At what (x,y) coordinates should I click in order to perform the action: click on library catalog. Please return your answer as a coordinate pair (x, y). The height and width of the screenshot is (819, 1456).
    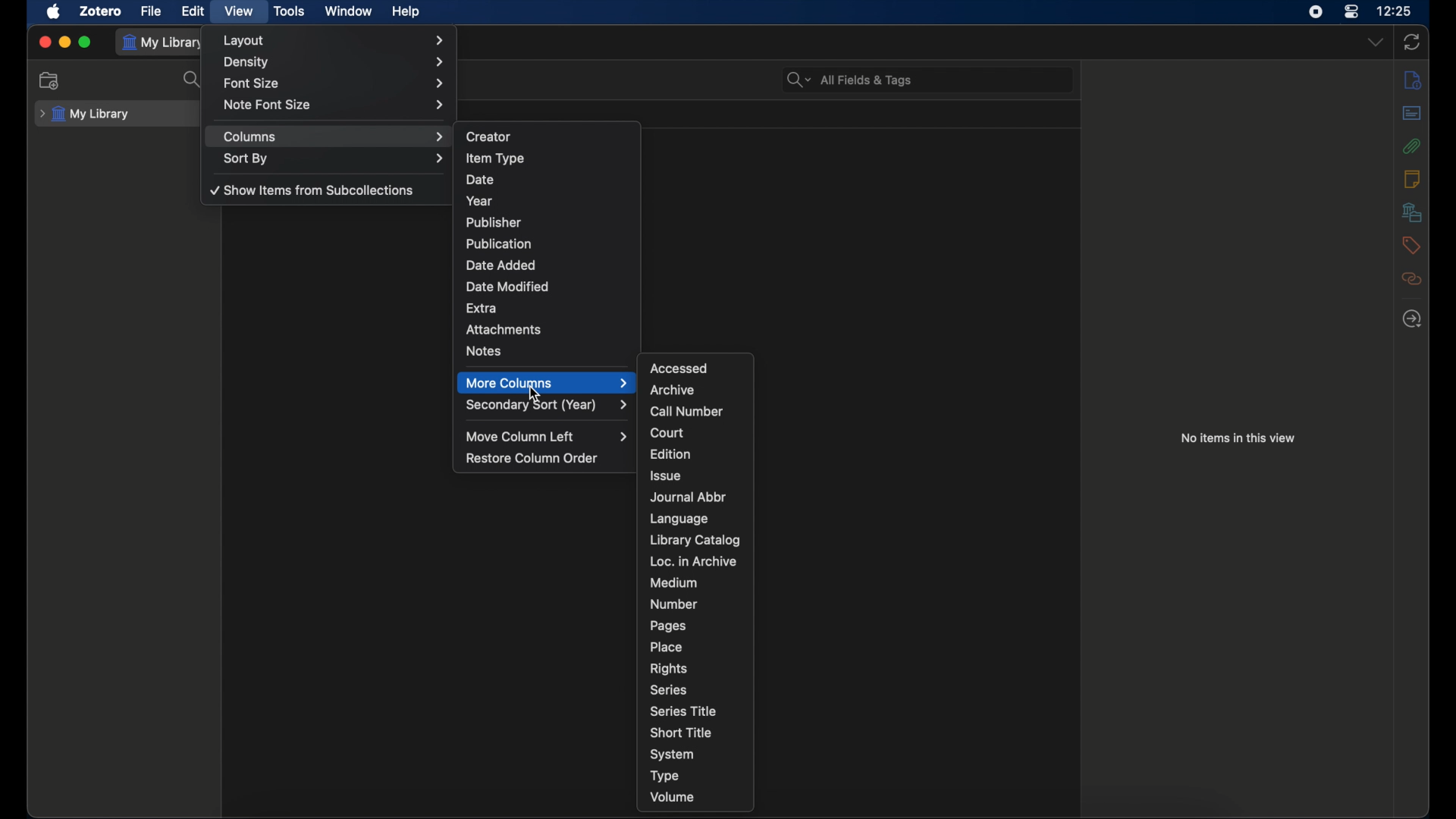
    Looking at the image, I should click on (697, 541).